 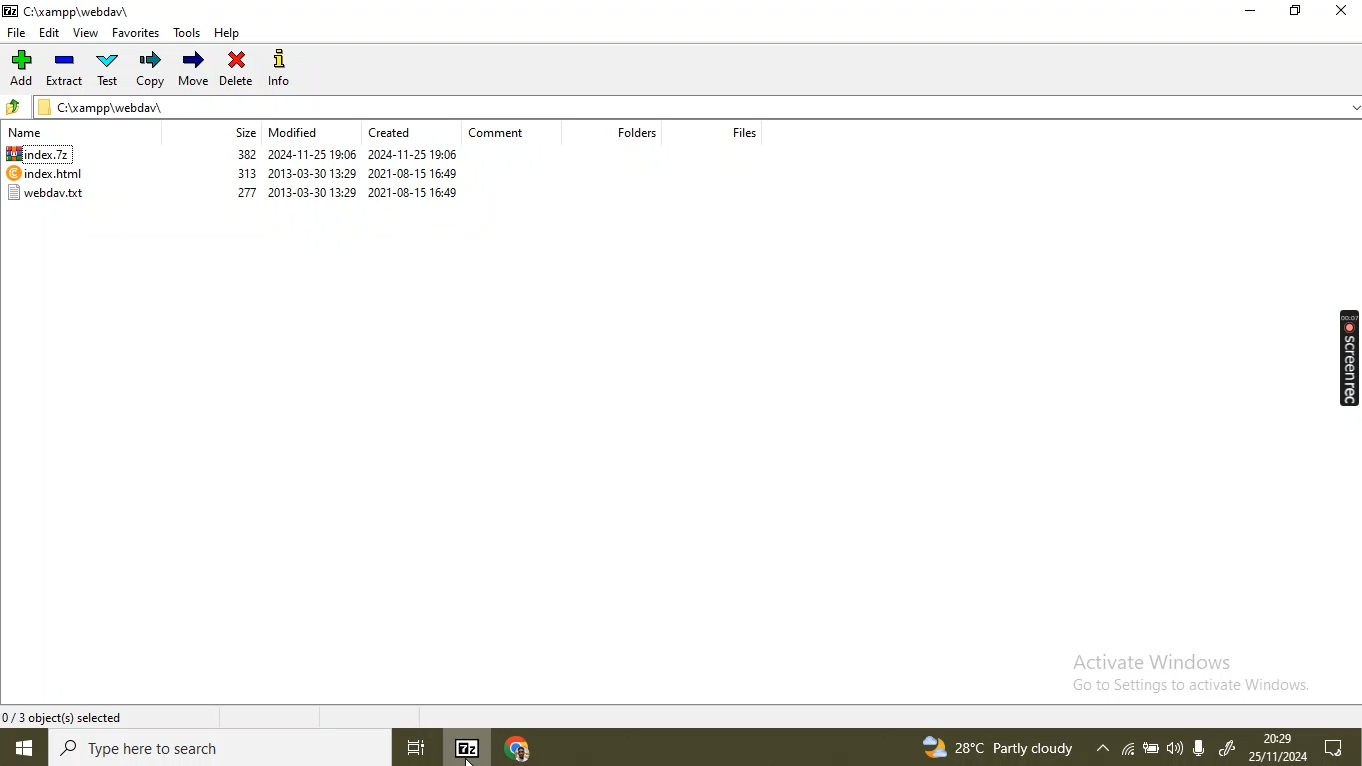 I want to click on add, so click(x=22, y=69).